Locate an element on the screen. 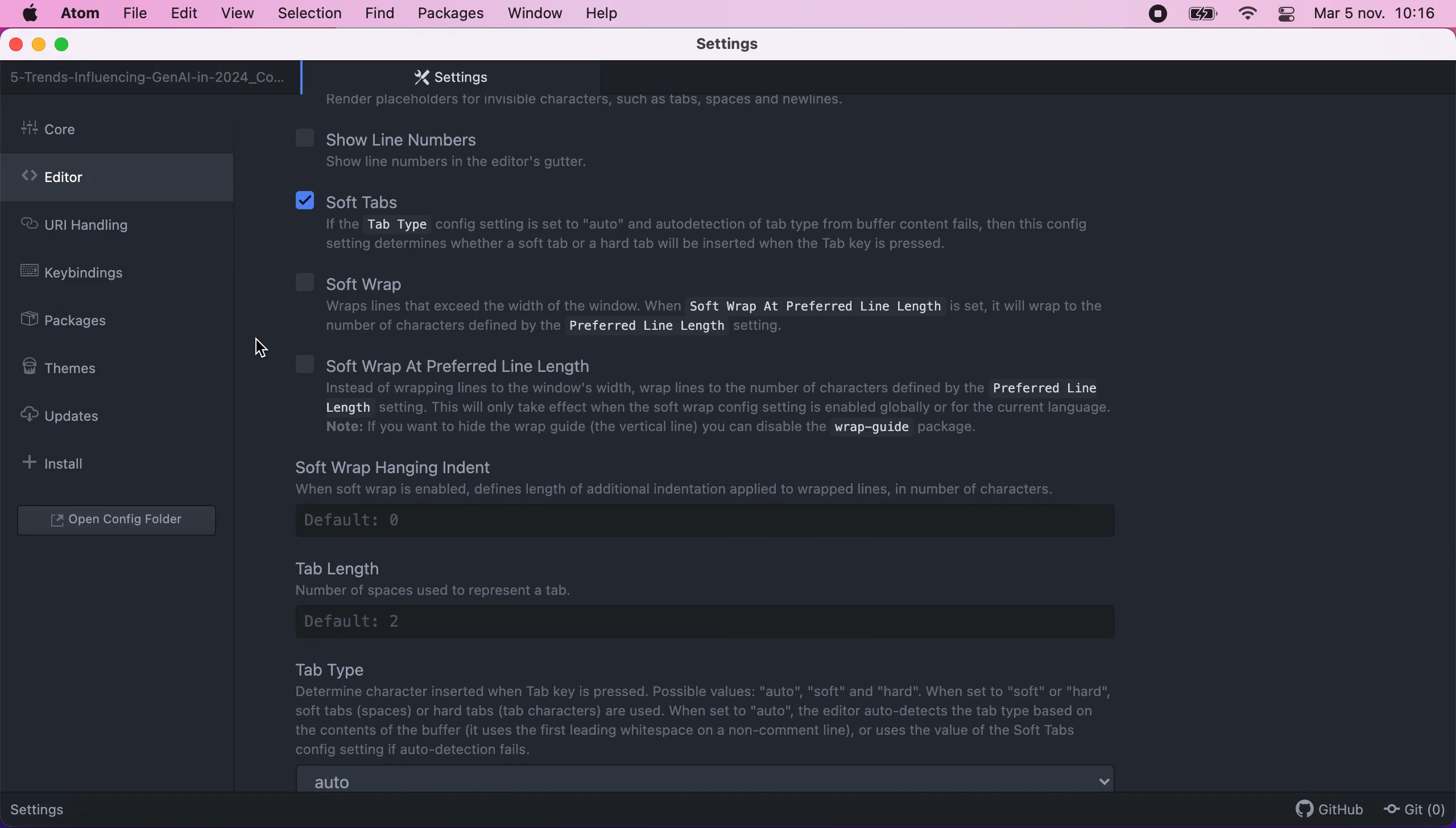 This screenshot has height=828, width=1456. window is located at coordinates (536, 13).